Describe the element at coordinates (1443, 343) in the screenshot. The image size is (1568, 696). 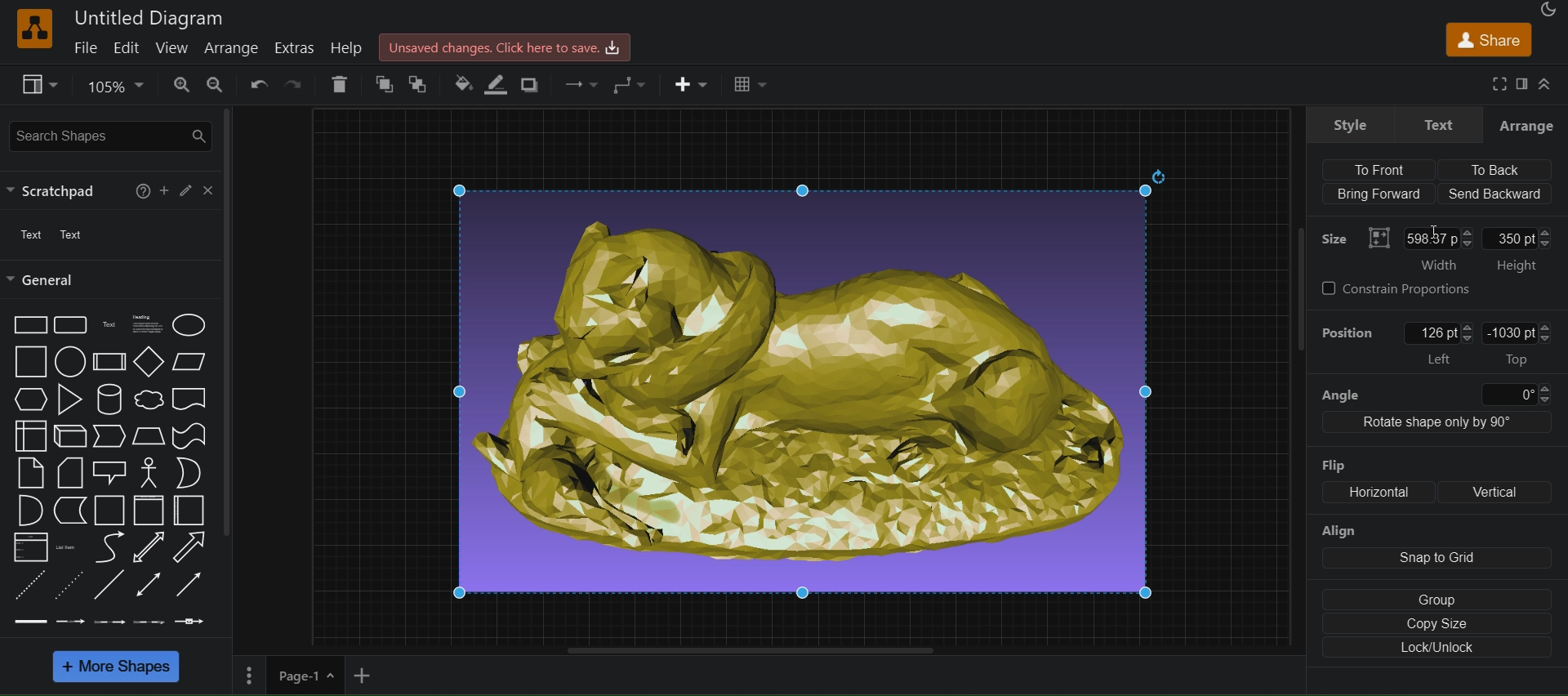
I see `position: left: 126 pt` at that location.